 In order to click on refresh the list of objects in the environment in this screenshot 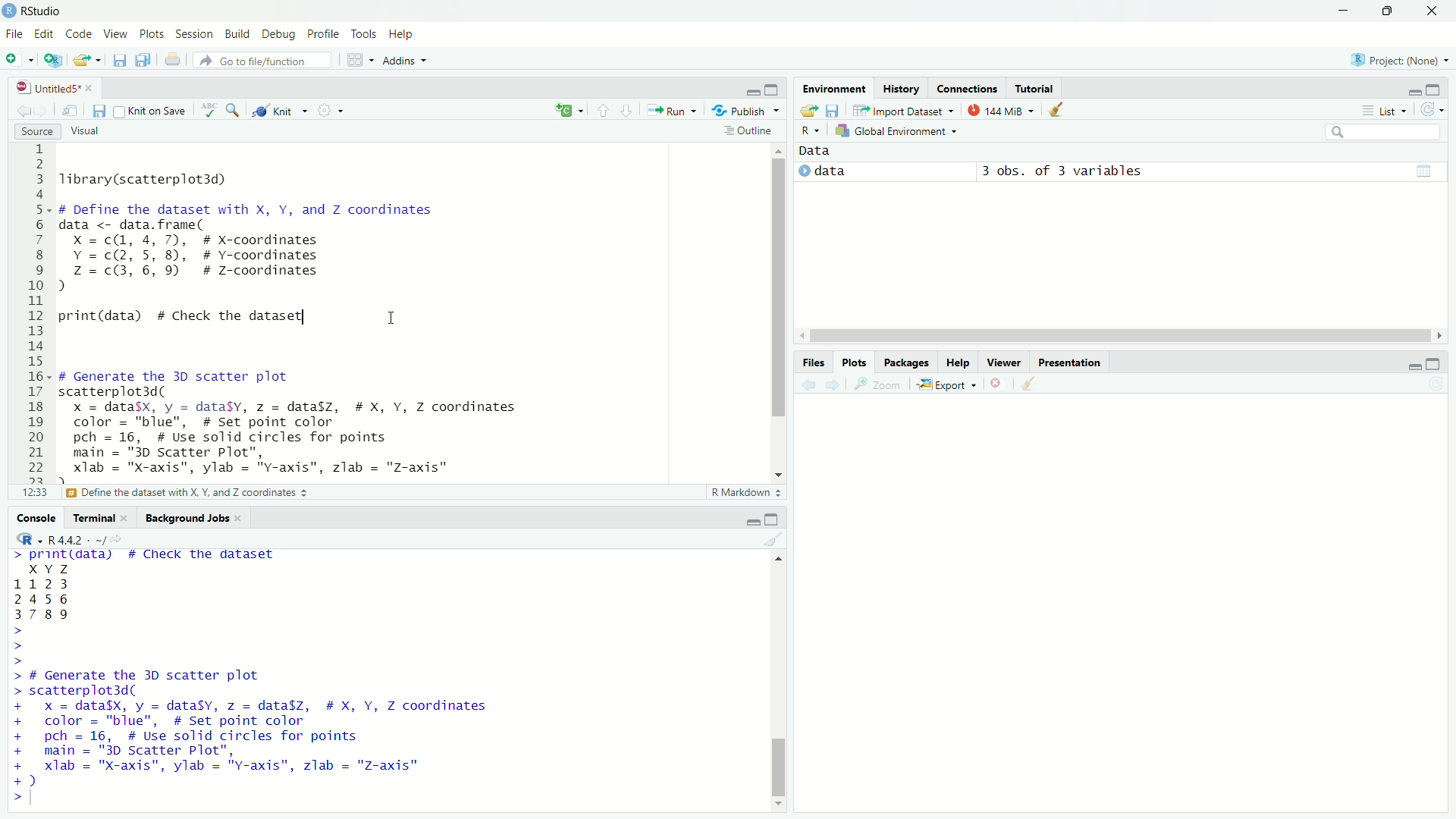, I will do `click(1437, 109)`.